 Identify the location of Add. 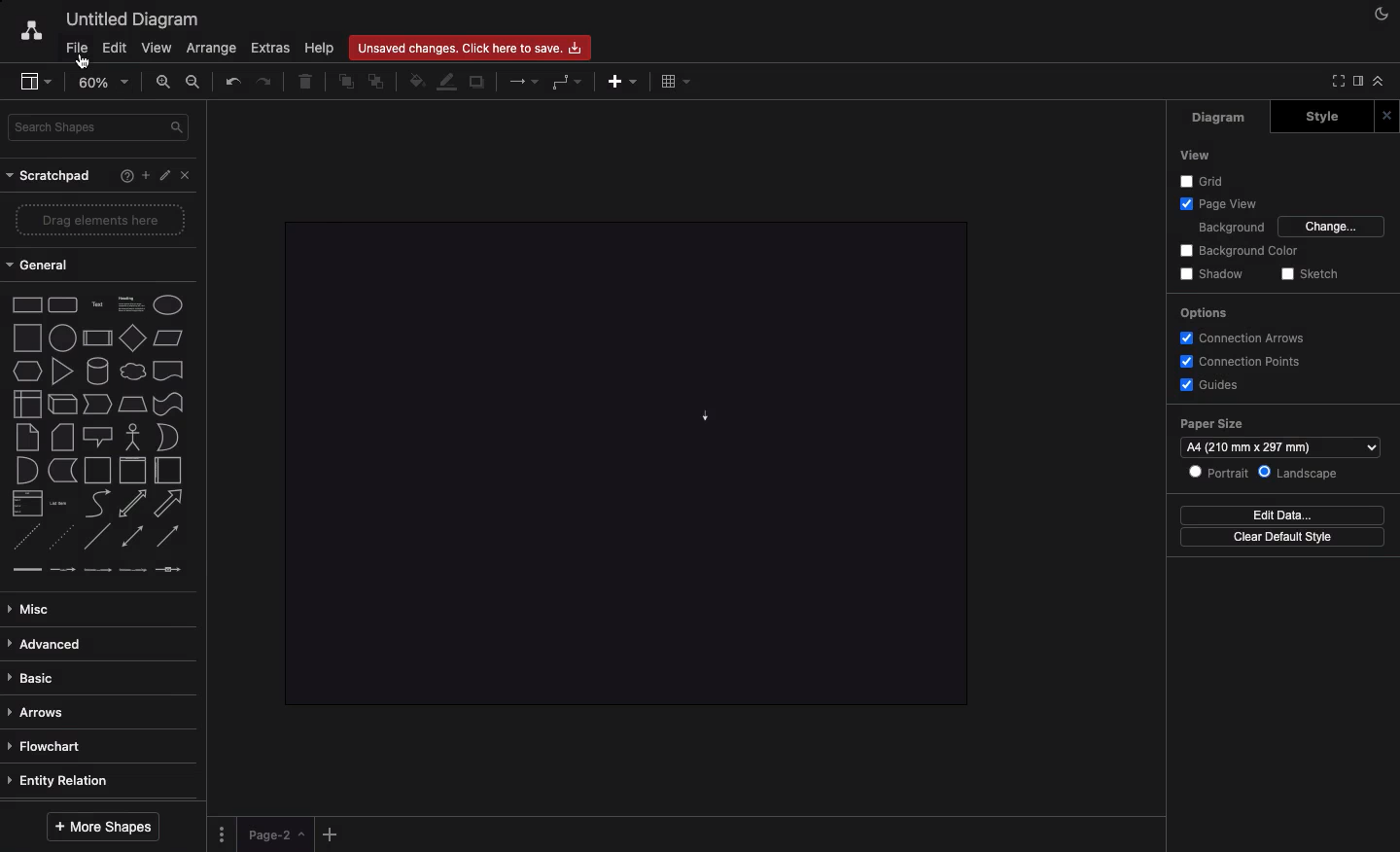
(622, 81).